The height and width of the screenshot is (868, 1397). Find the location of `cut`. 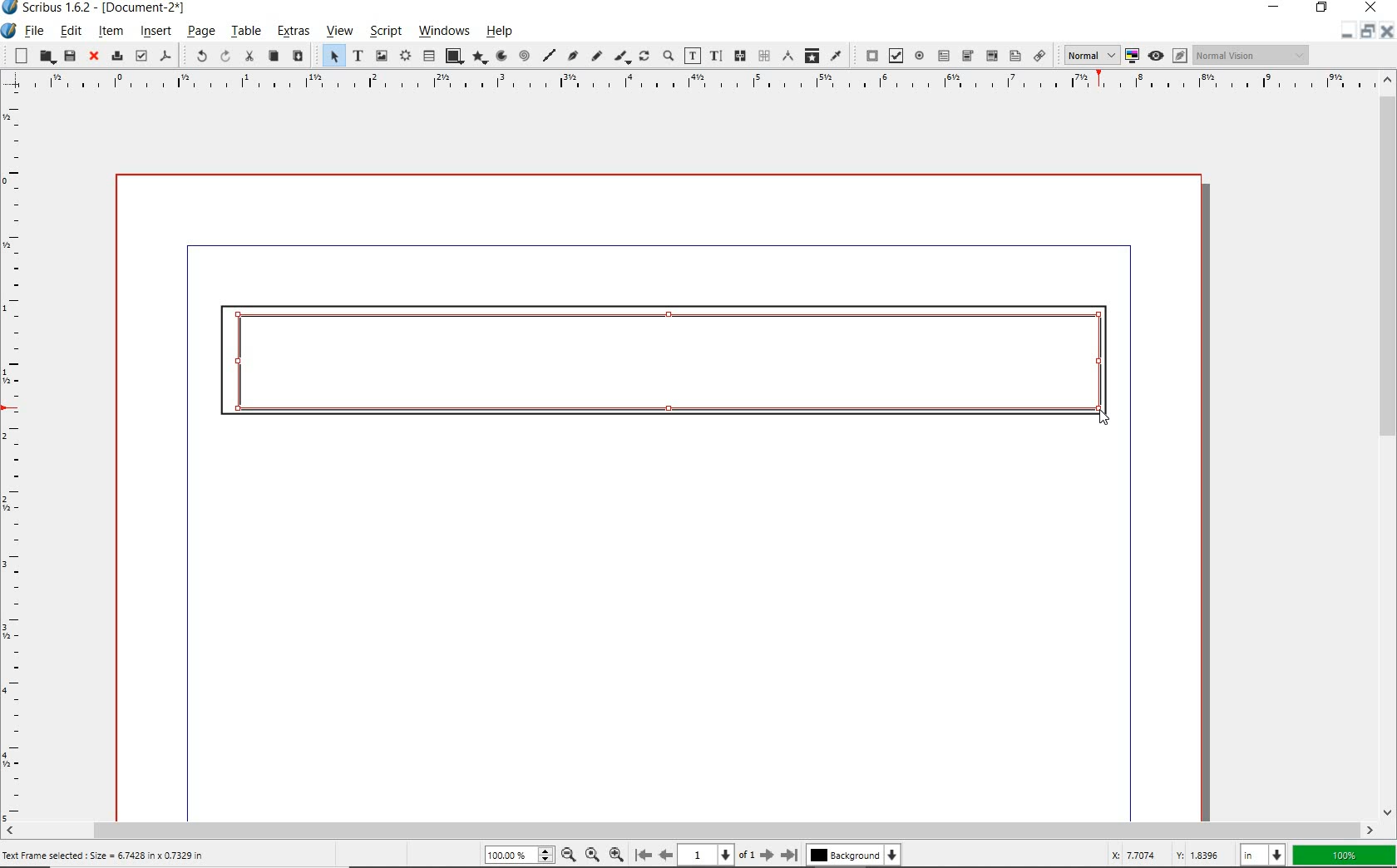

cut is located at coordinates (249, 57).